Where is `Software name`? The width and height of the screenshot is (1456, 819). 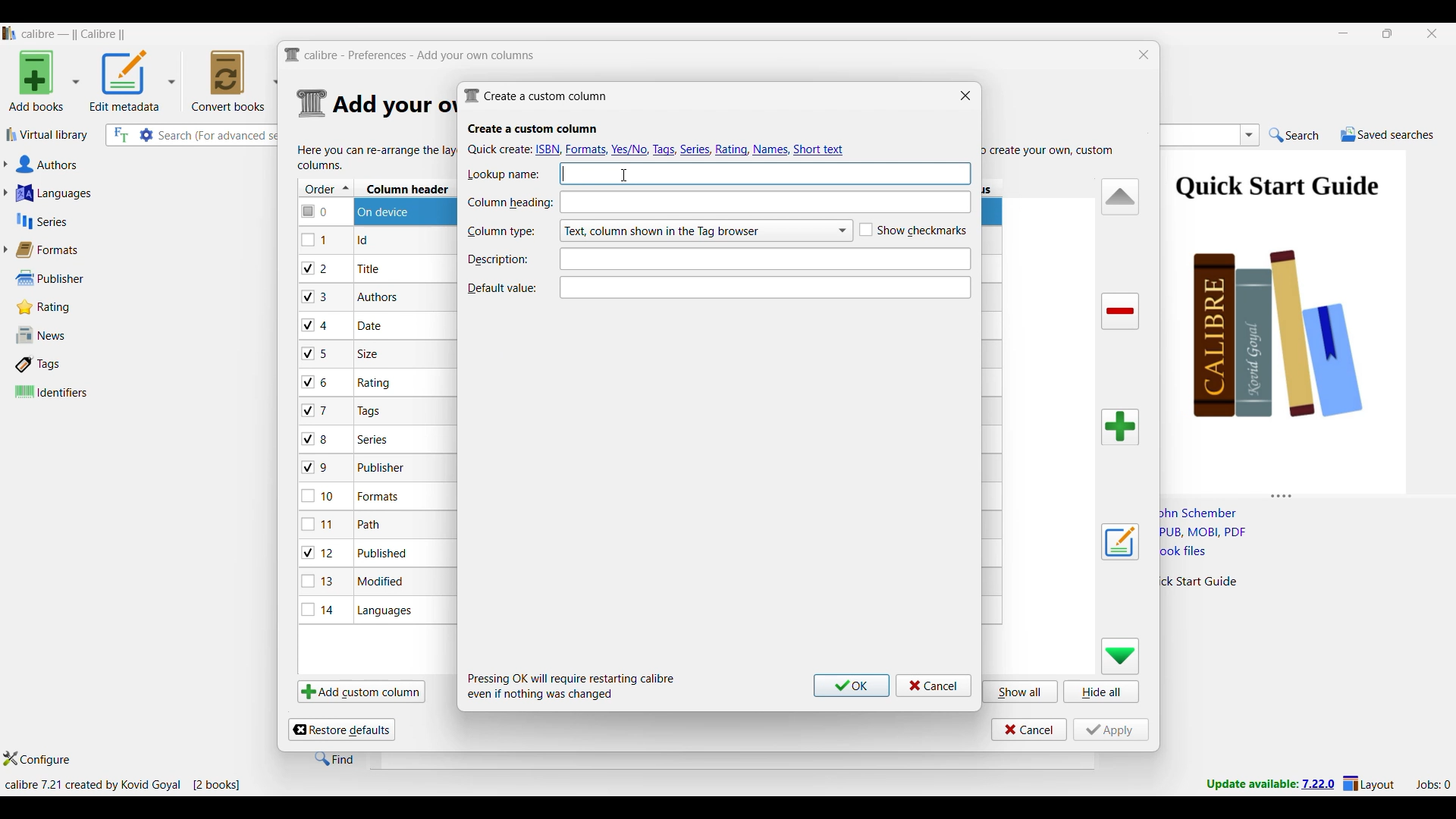
Software name is located at coordinates (74, 34).